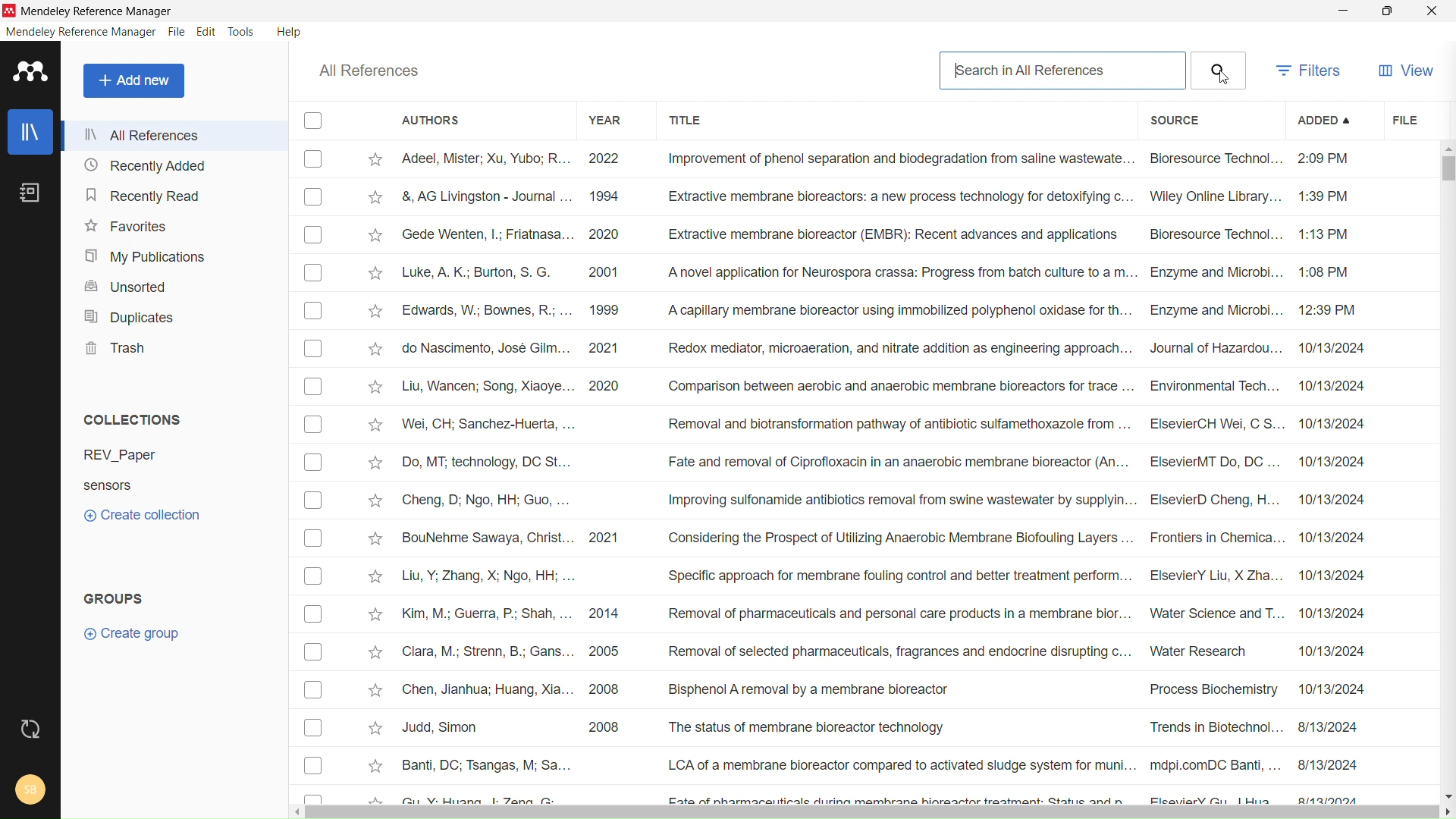 The image size is (1456, 819). Describe the element at coordinates (373, 385) in the screenshot. I see `Add to favorites` at that location.